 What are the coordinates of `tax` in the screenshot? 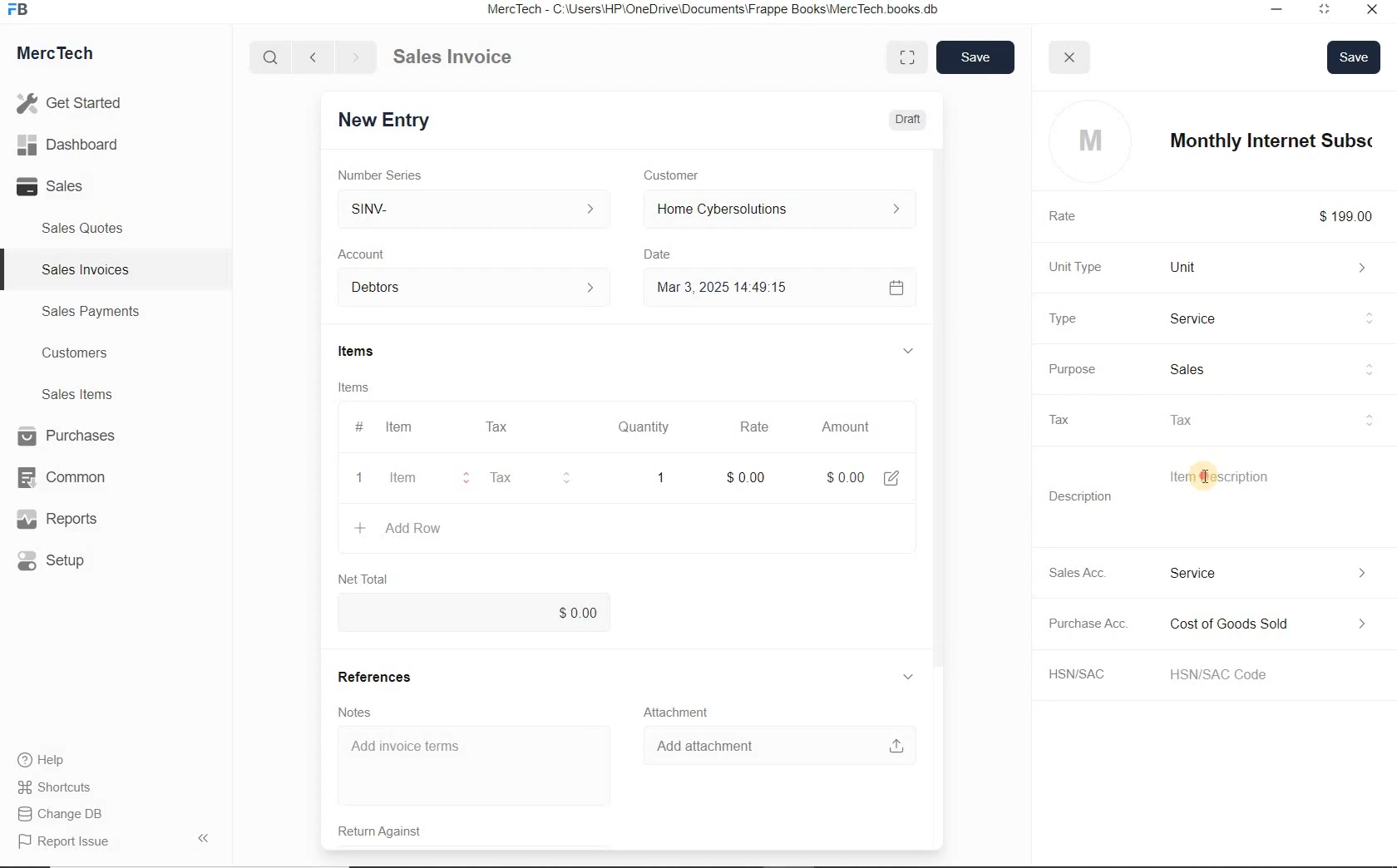 It's located at (1261, 420).